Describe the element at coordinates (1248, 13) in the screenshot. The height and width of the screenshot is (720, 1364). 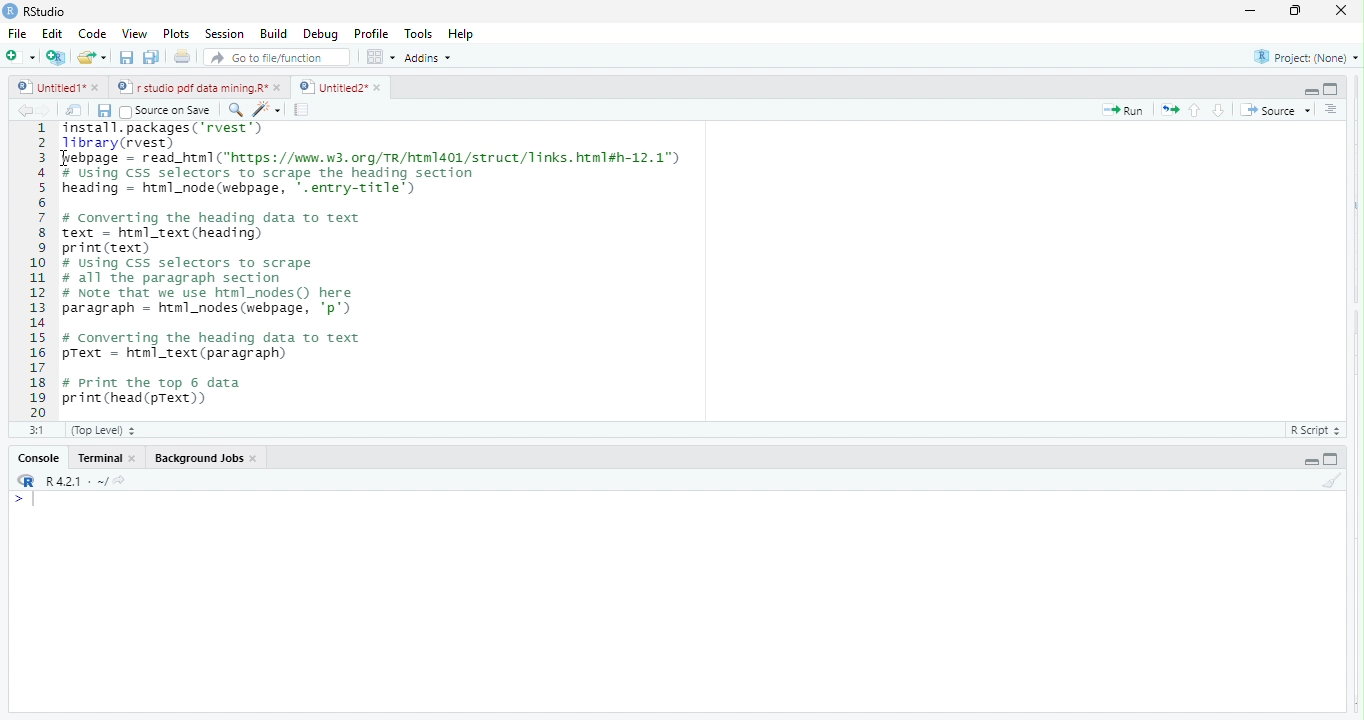
I see `maximize` at that location.